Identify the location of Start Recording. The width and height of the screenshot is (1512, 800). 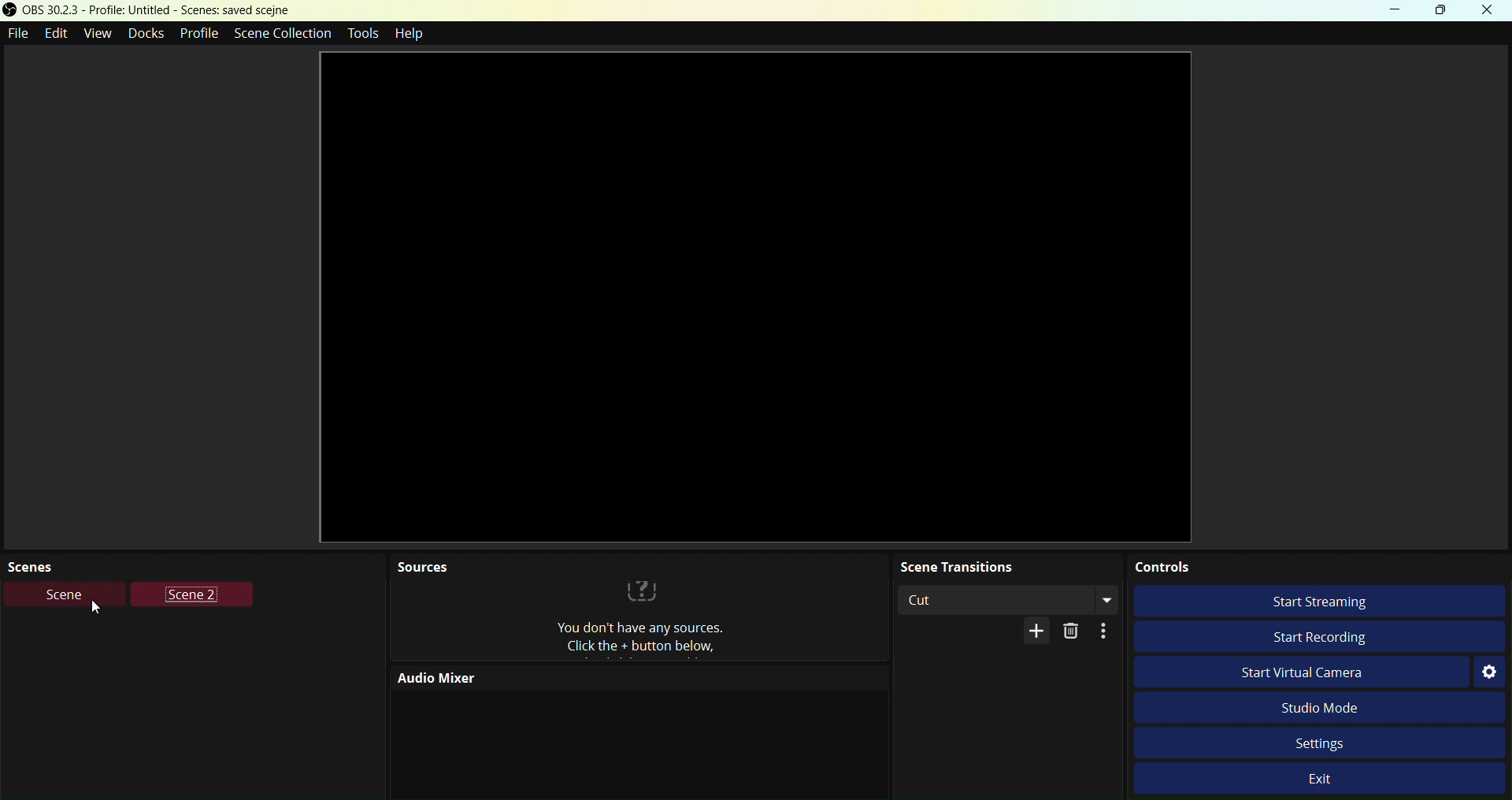
(1321, 635).